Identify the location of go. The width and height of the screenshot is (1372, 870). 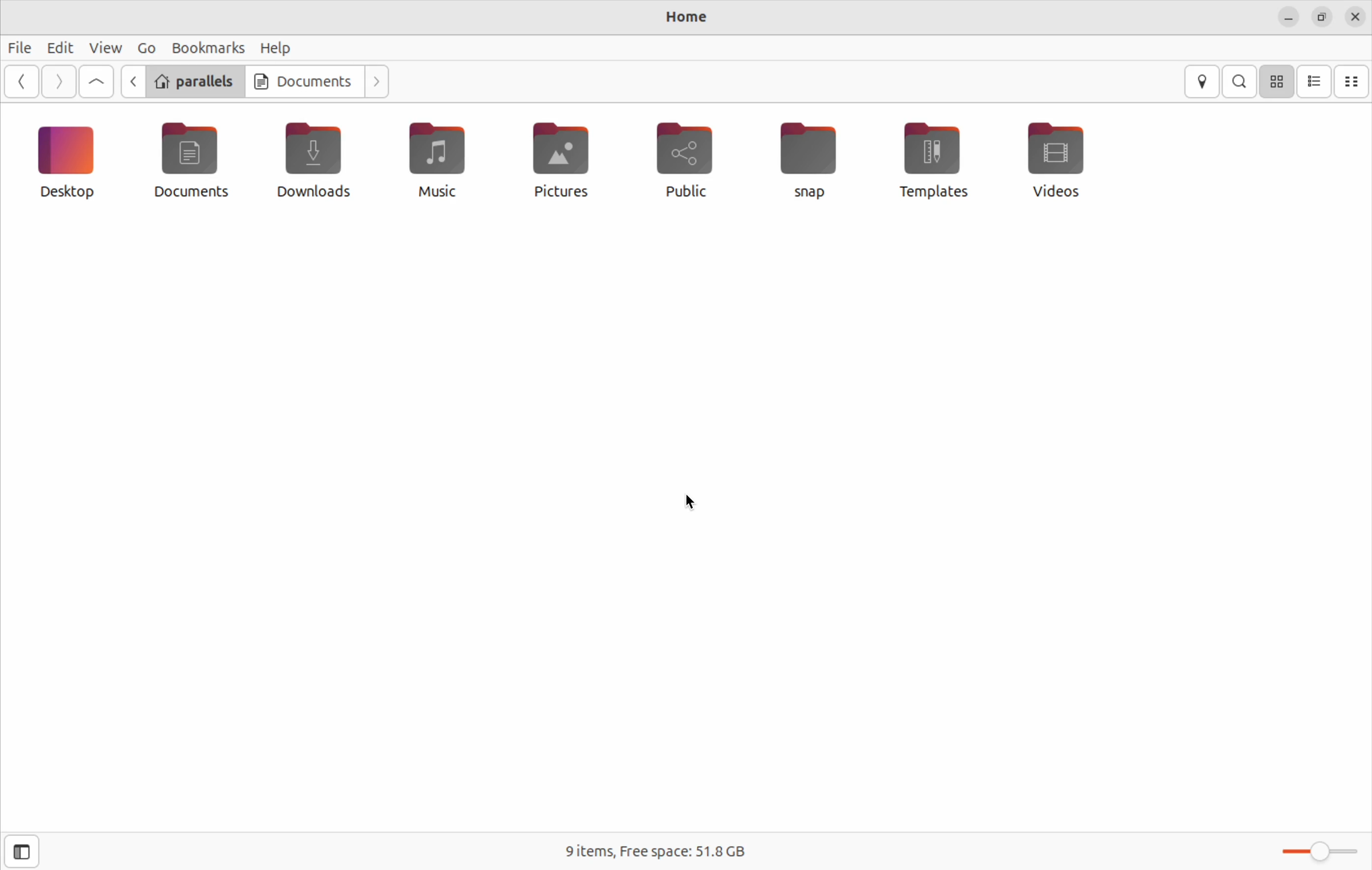
(146, 47).